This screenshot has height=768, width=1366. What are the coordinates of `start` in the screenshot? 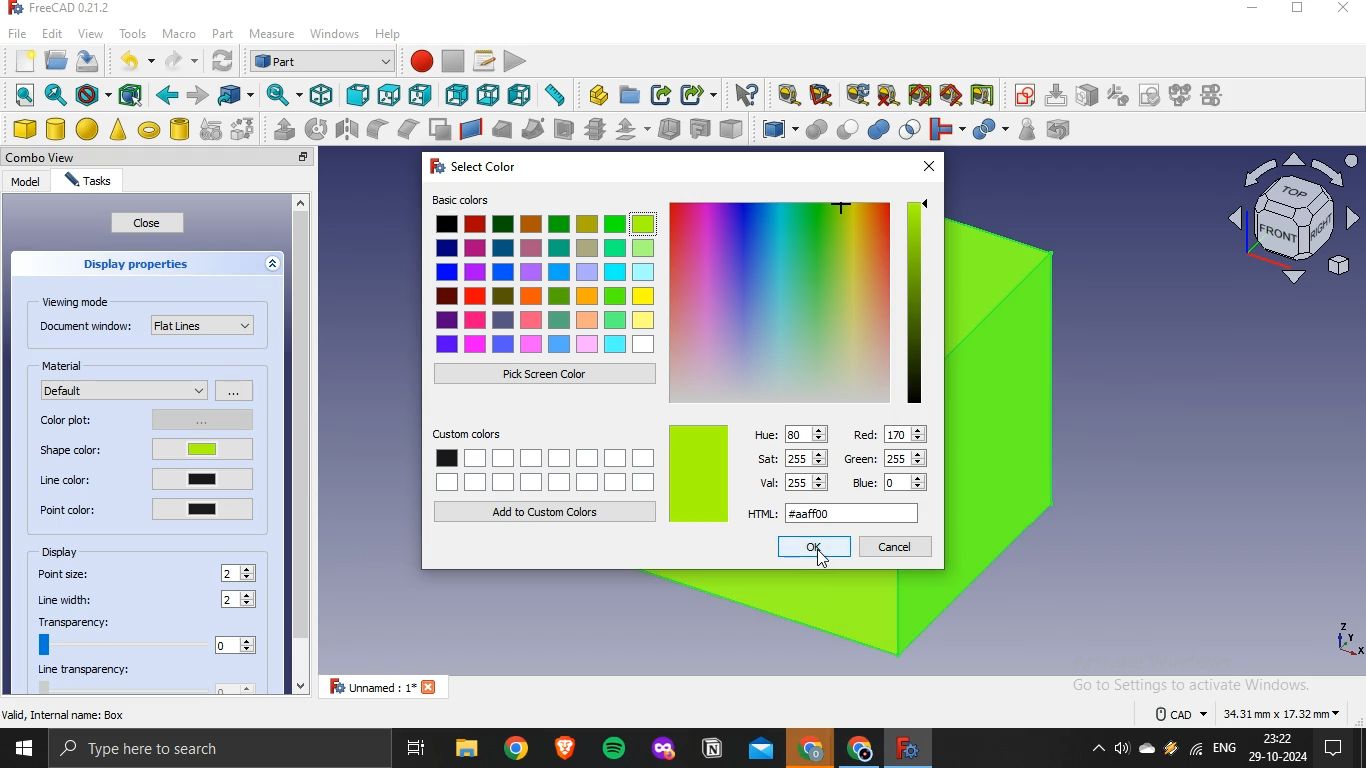 It's located at (23, 751).